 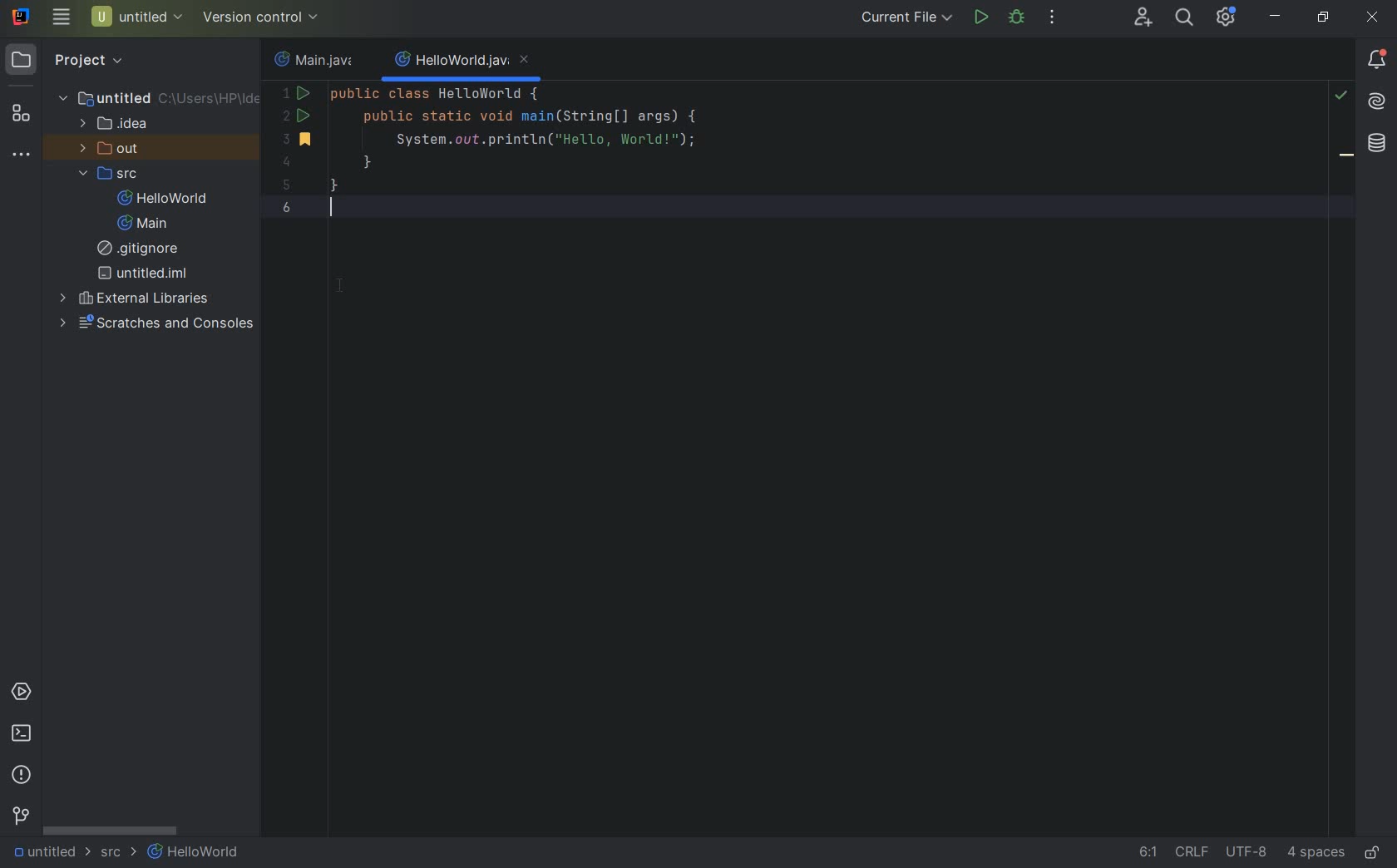 I want to click on configure version control, so click(x=259, y=17).